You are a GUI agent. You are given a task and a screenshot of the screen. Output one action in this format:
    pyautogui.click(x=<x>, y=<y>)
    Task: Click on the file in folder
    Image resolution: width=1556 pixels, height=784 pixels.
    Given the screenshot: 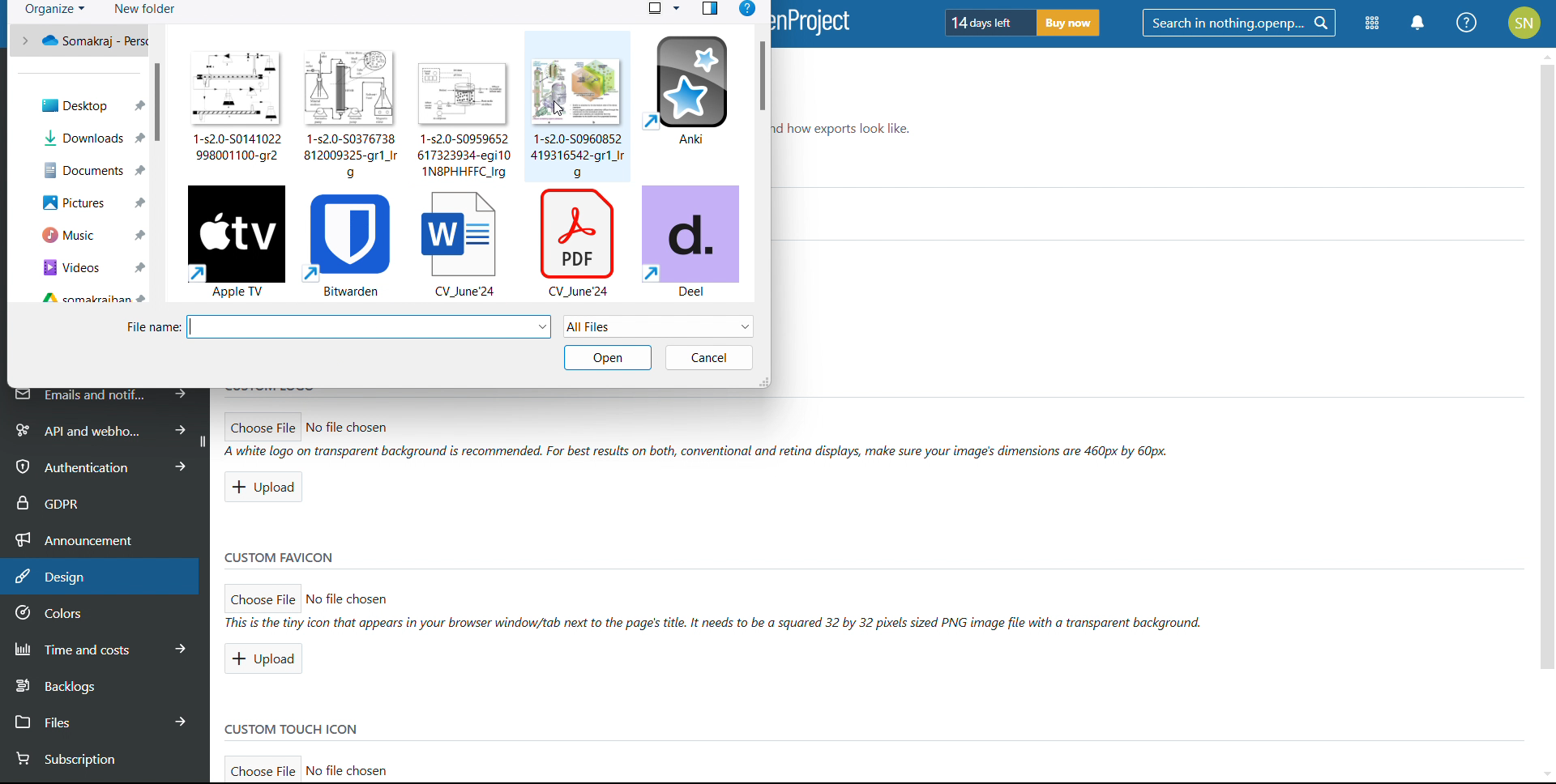 What is the action you would take?
    pyautogui.click(x=582, y=104)
    